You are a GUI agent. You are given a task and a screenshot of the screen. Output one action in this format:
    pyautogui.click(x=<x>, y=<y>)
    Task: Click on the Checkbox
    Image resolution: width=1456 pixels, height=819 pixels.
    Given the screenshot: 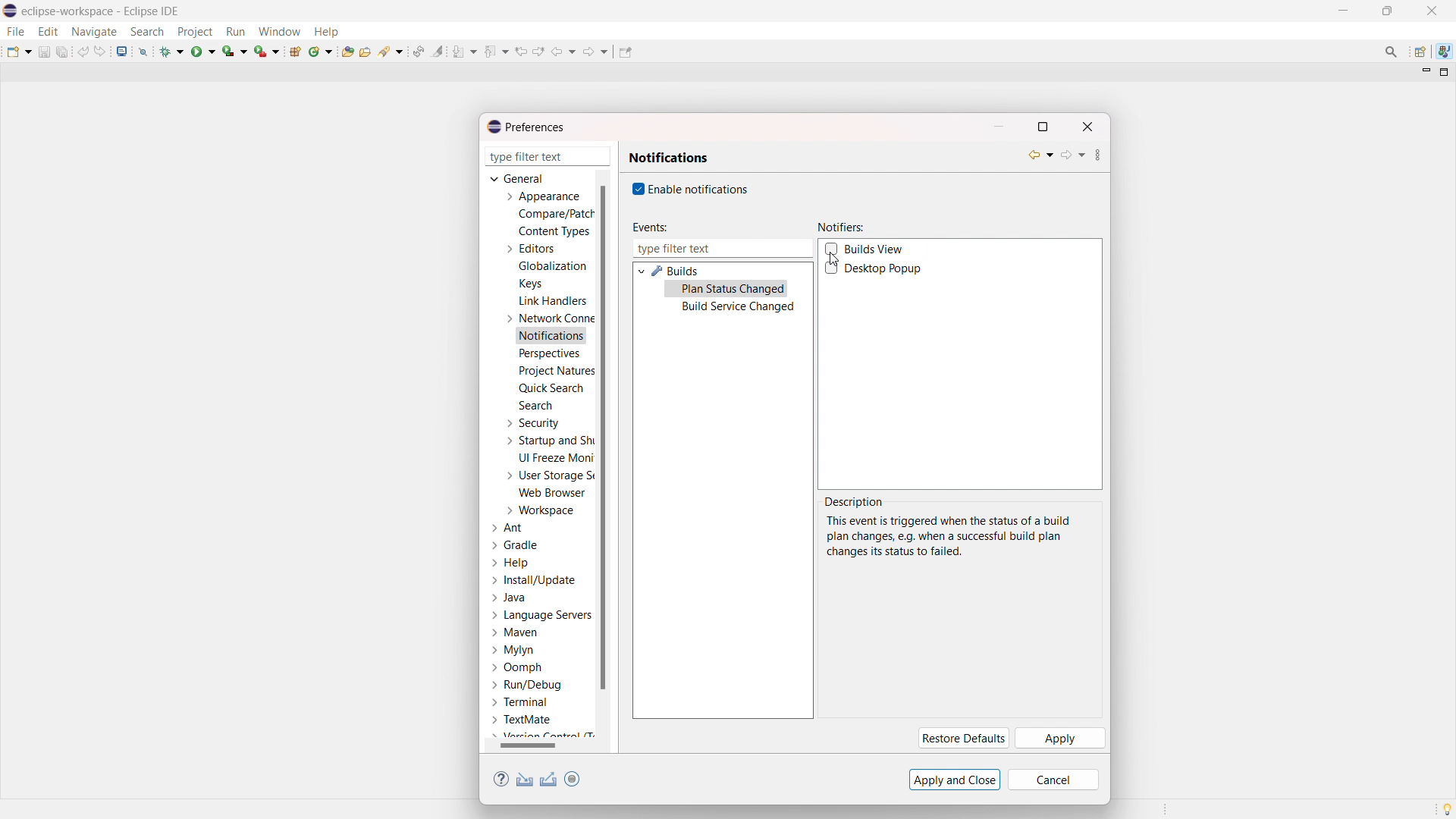 What is the action you would take?
    pyautogui.click(x=833, y=268)
    